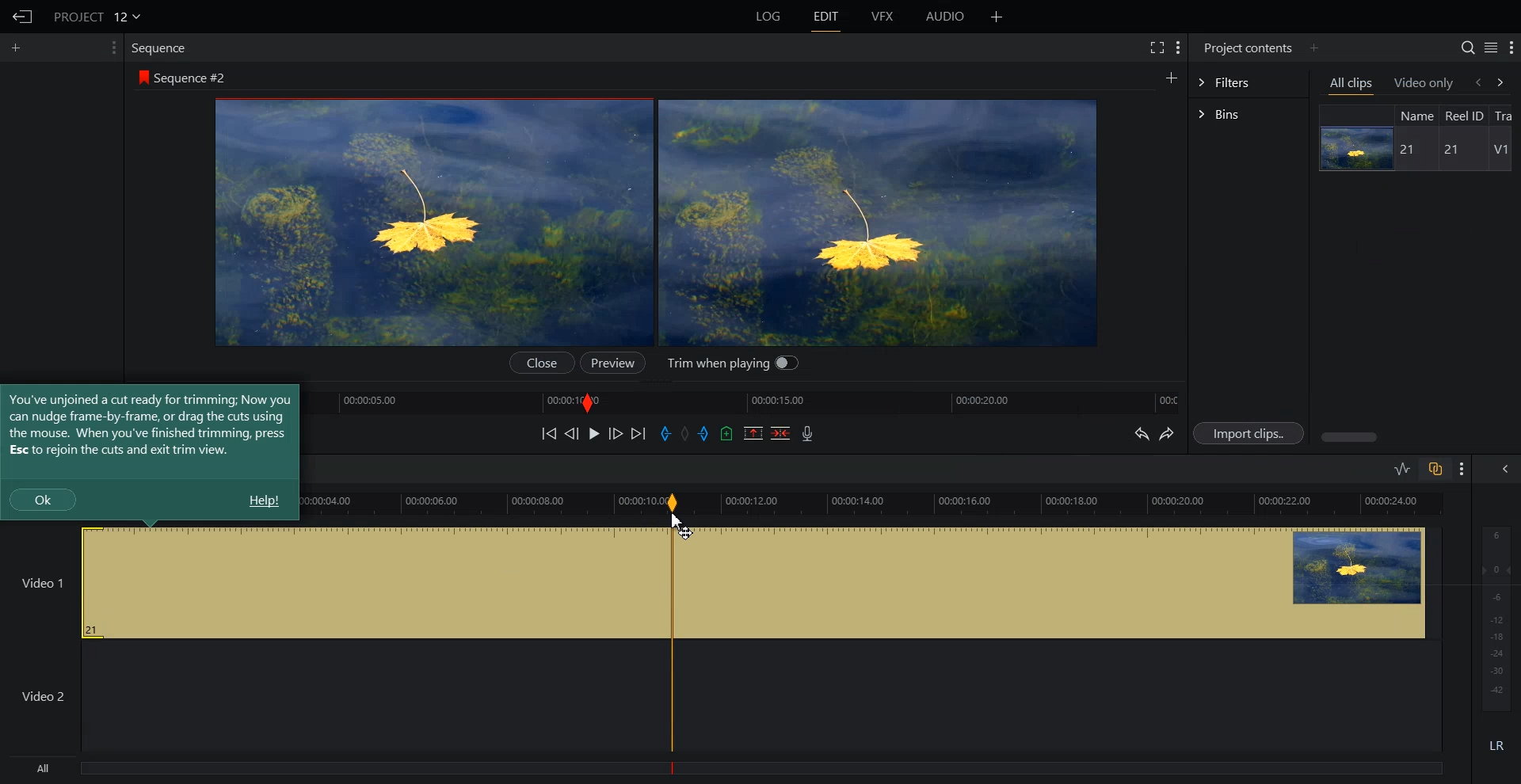 The height and width of the screenshot is (784, 1521). What do you see at coordinates (324, 696) in the screenshot?
I see `Video 2` at bounding box center [324, 696].